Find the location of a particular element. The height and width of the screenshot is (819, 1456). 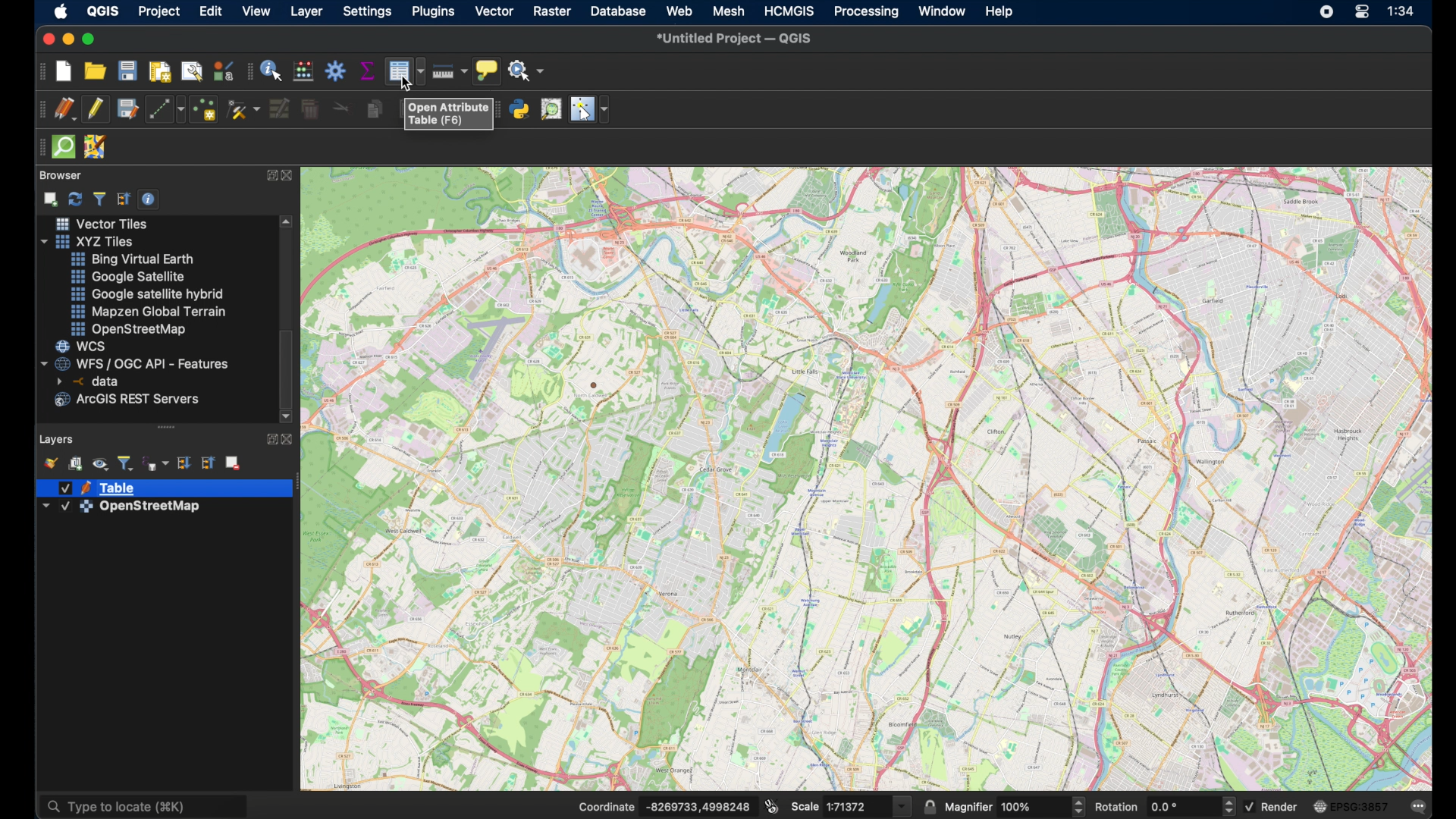

open layer styling panel is located at coordinates (49, 462).